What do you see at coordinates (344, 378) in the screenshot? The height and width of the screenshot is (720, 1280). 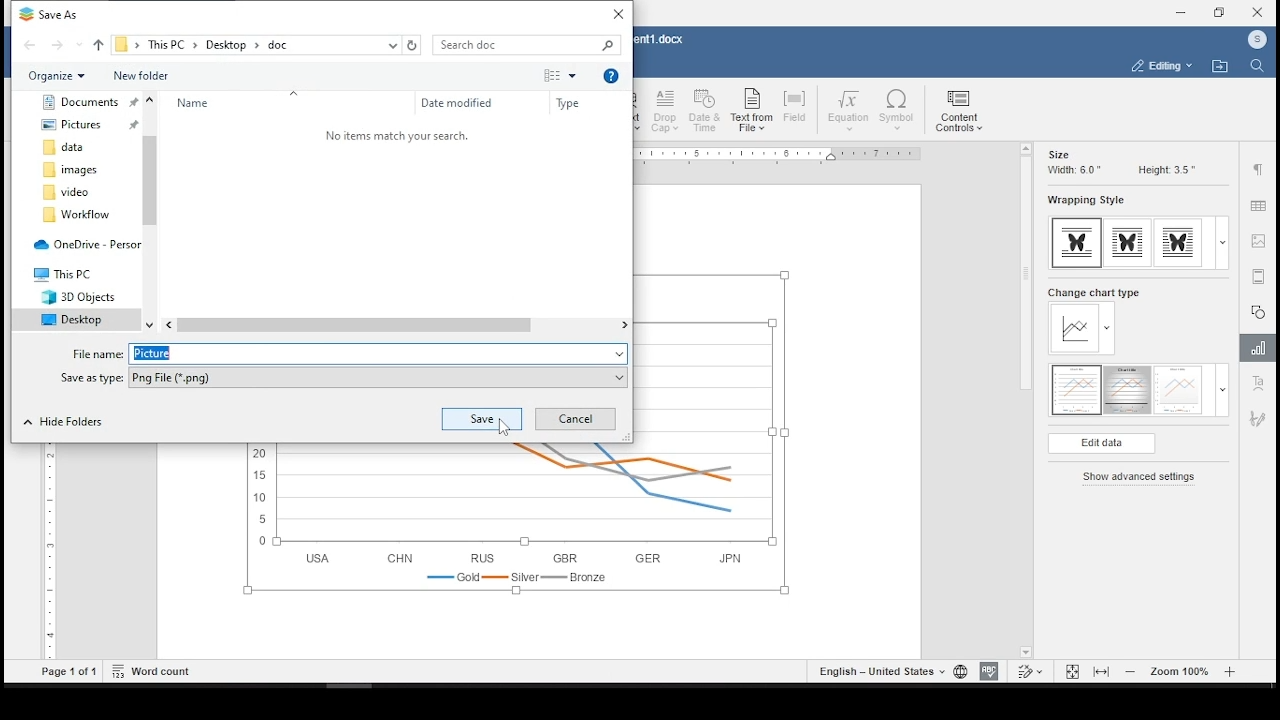 I see `save as type` at bounding box center [344, 378].